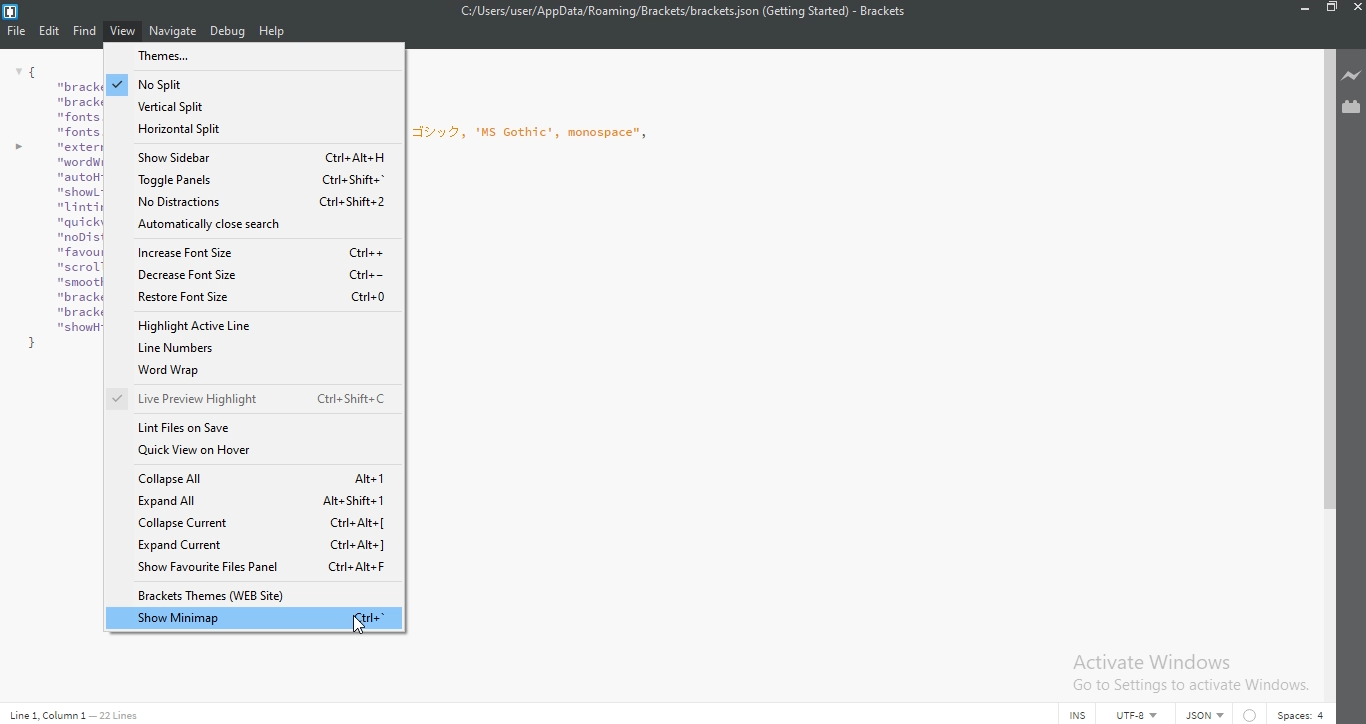 Image resolution: width=1366 pixels, height=724 pixels. I want to click on File, so click(18, 32).